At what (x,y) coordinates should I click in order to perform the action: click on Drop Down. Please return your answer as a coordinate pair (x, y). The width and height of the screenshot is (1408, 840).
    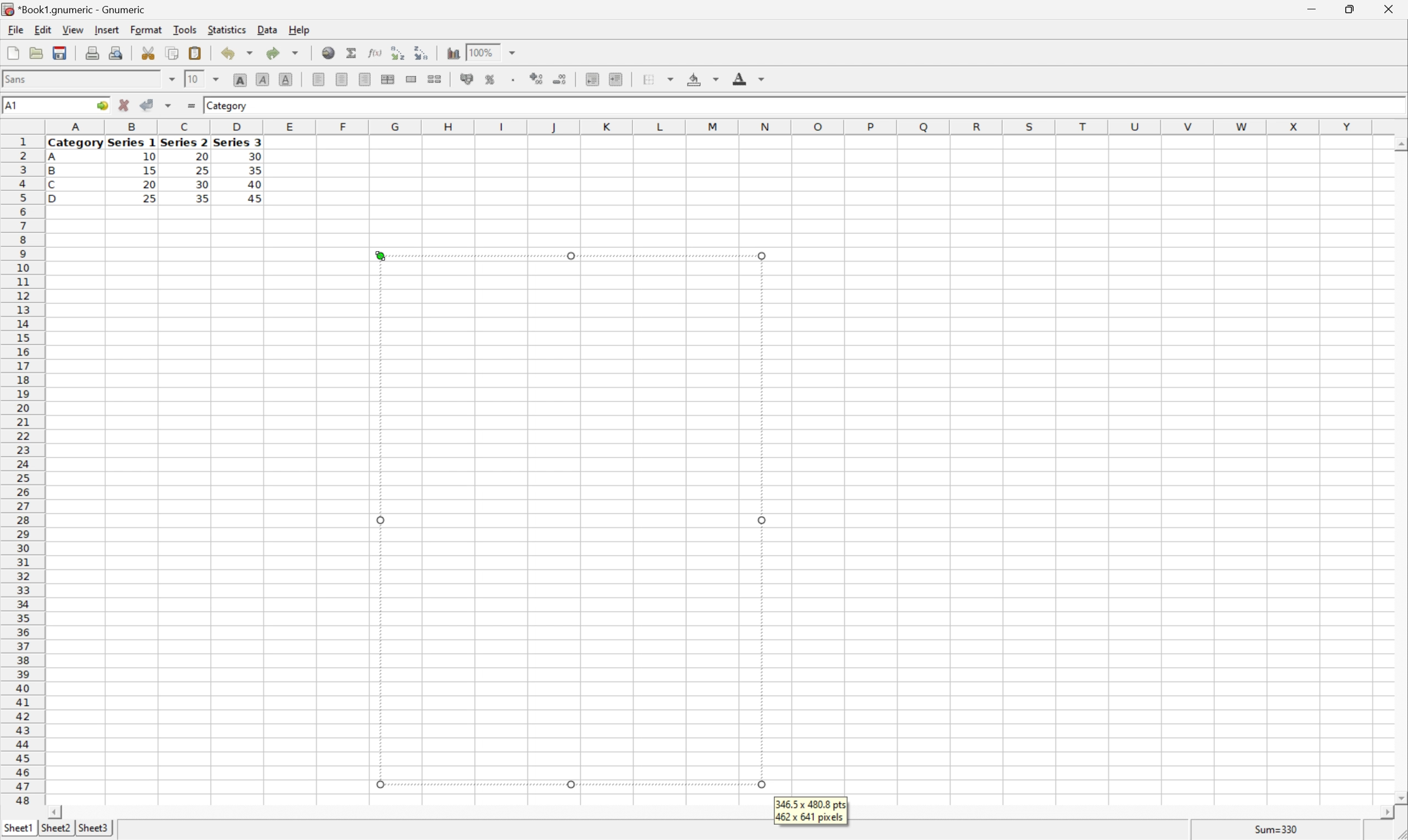
    Looking at the image, I should click on (216, 80).